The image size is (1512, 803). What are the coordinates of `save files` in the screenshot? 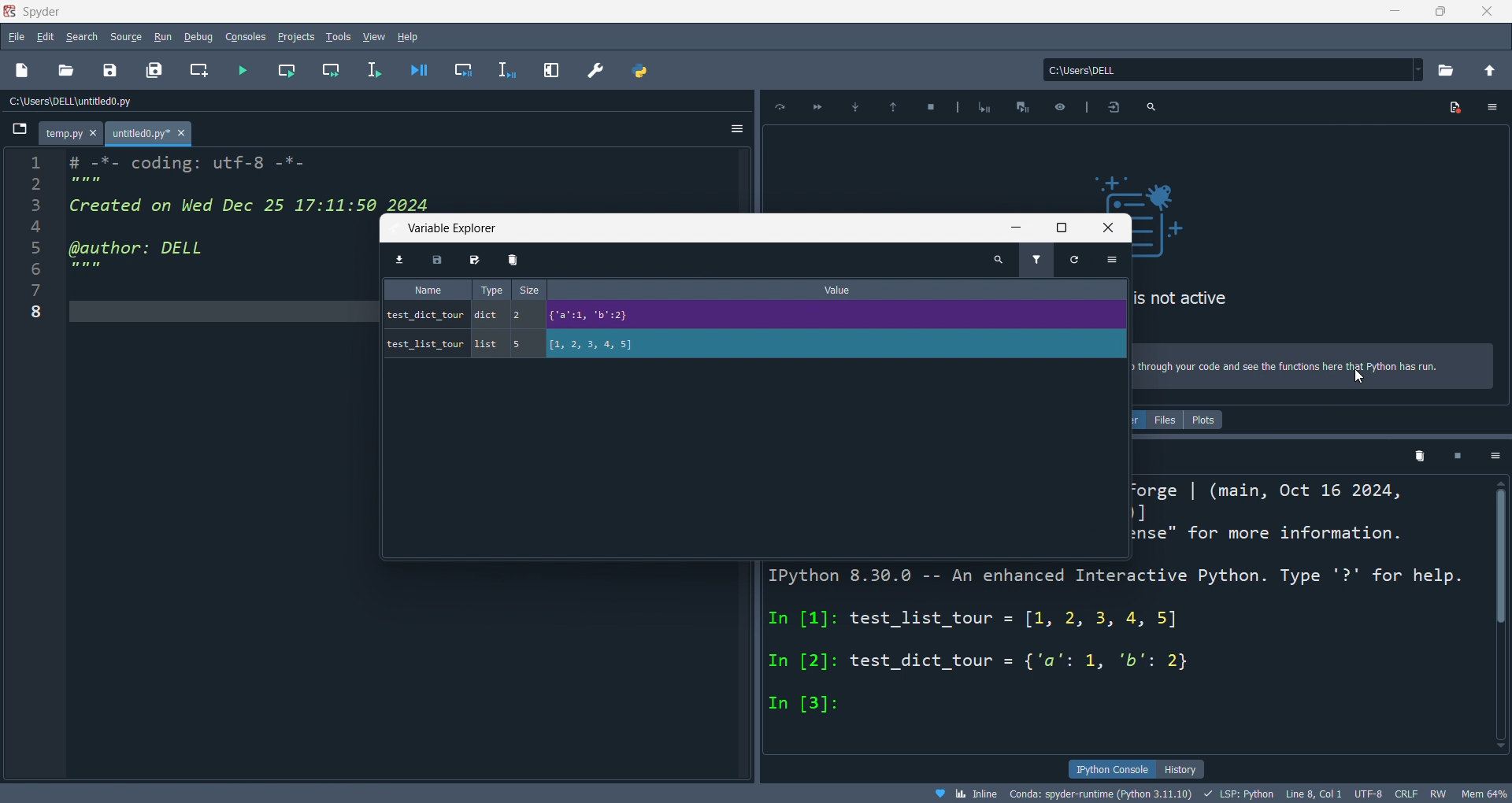 It's located at (155, 71).